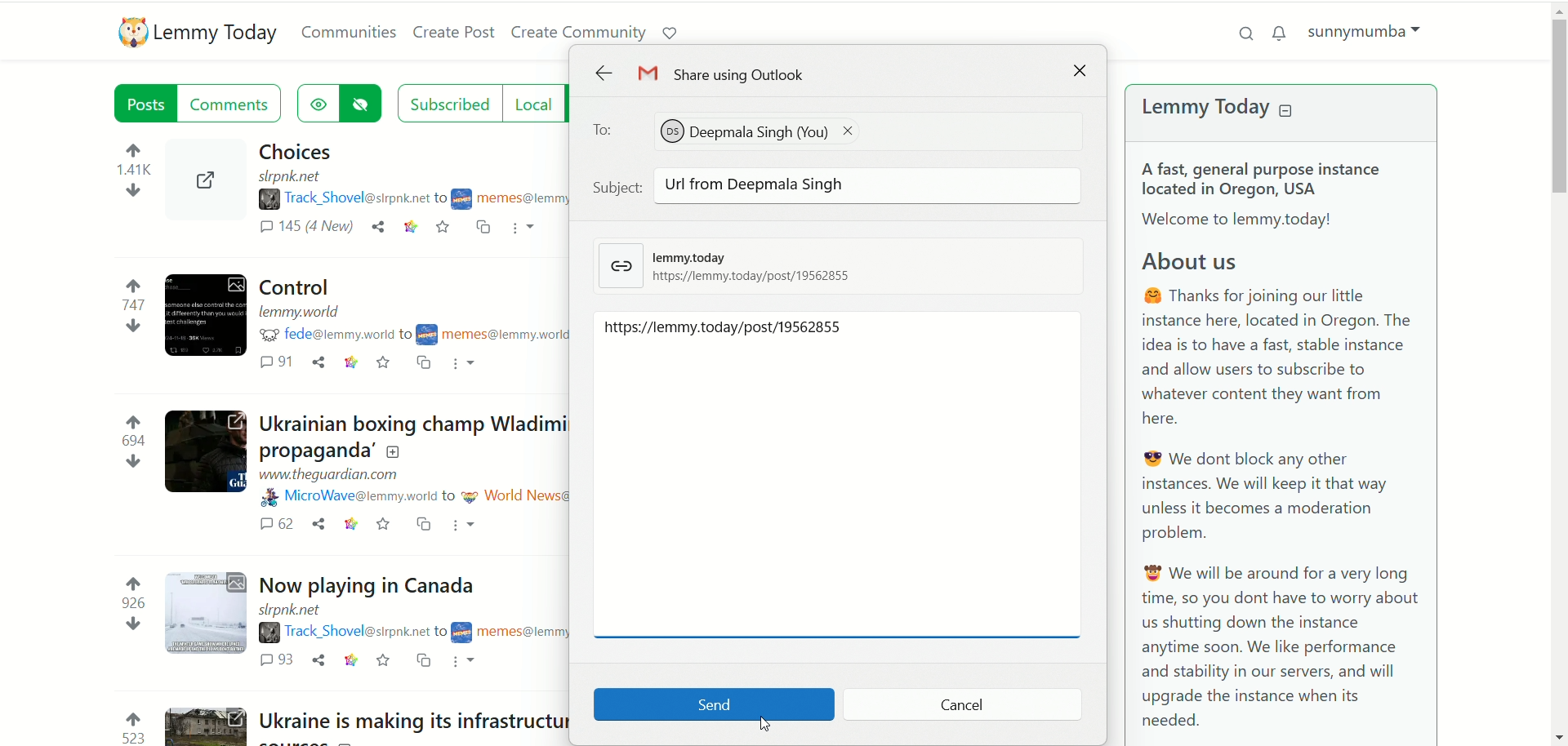 This screenshot has height=746, width=1568. What do you see at coordinates (315, 104) in the screenshot?
I see `show hidden posts` at bounding box center [315, 104].